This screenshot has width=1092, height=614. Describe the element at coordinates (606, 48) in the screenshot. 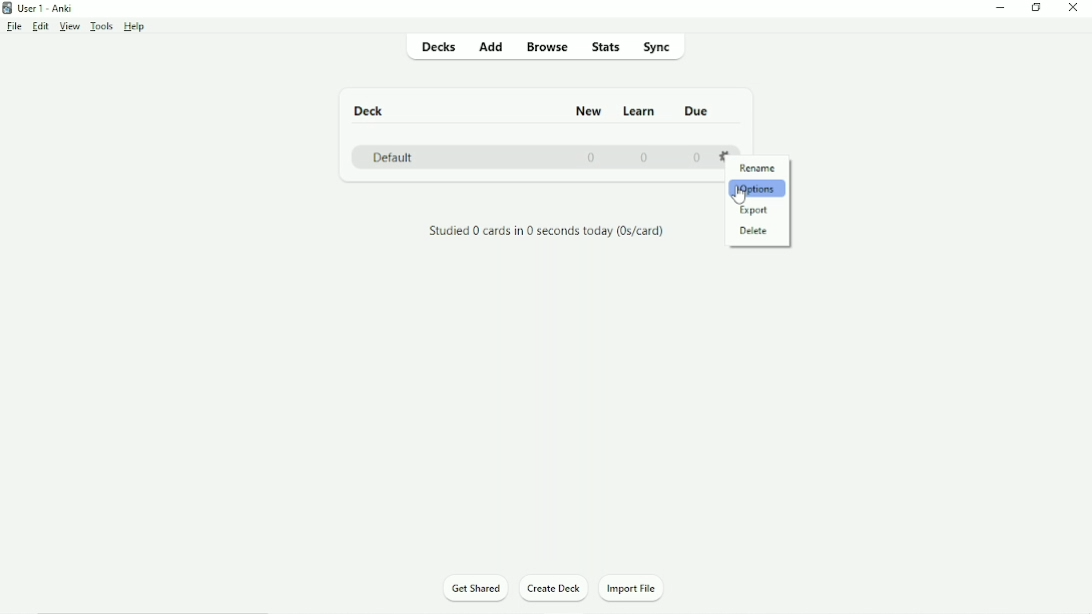

I see `Stats` at that location.